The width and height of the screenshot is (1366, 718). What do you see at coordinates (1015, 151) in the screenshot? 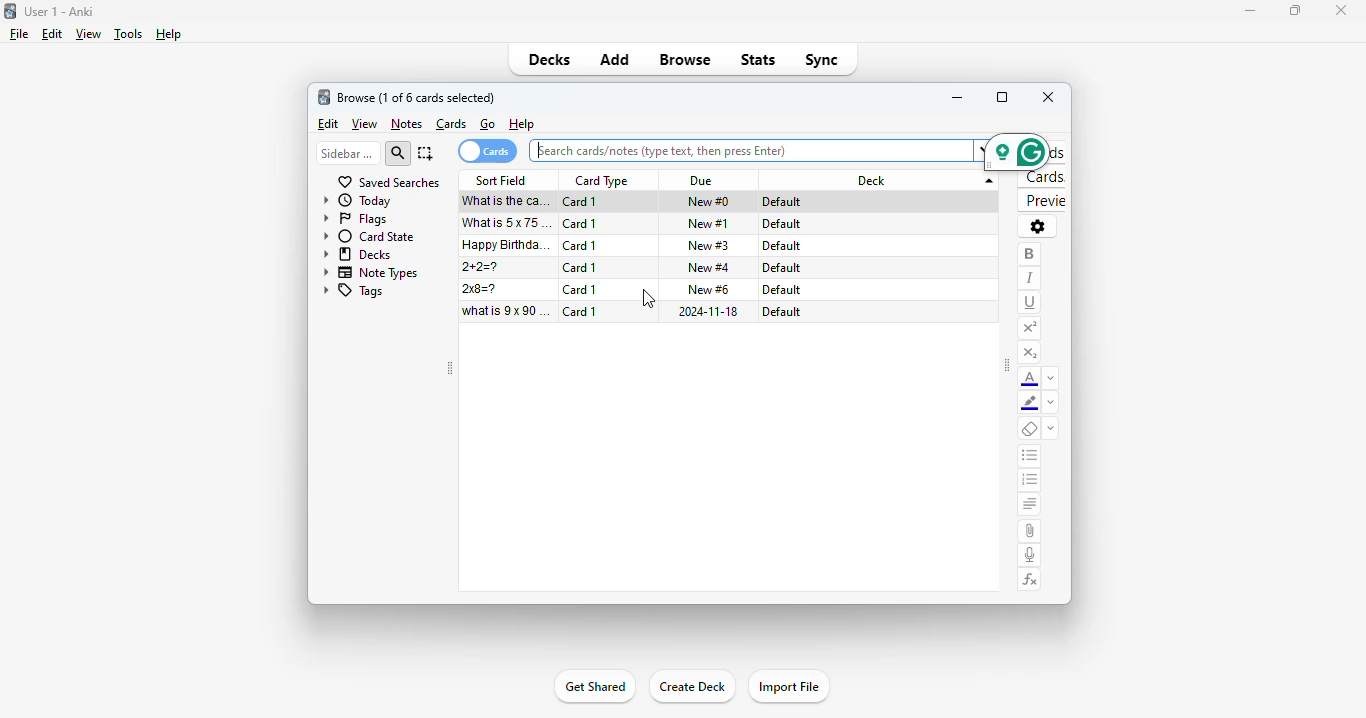
I see `grammarly extension` at bounding box center [1015, 151].